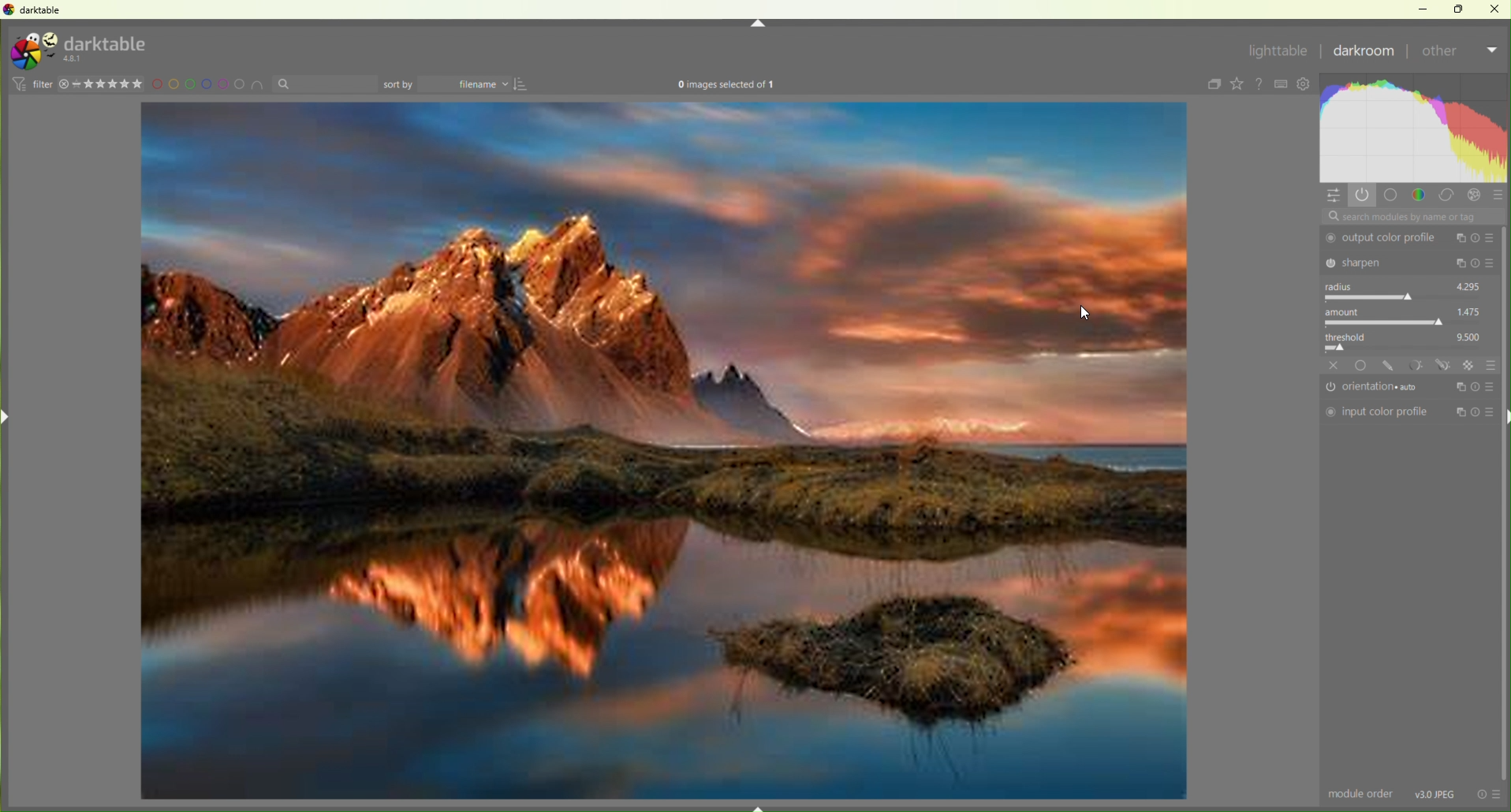  Describe the element at coordinates (758, 24) in the screenshot. I see `Collapse ` at that location.